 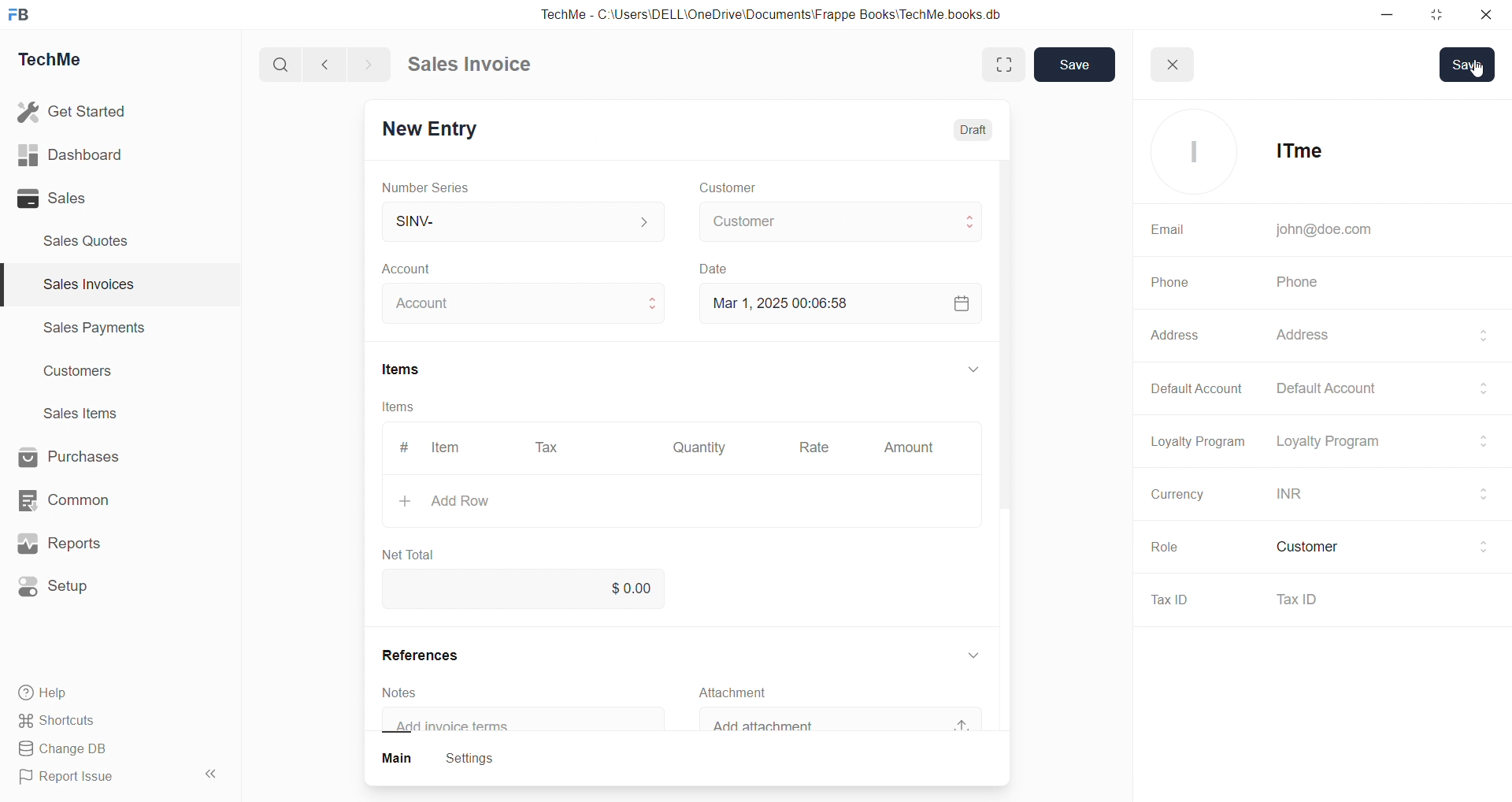 What do you see at coordinates (912, 443) in the screenshot?
I see `Amount` at bounding box center [912, 443].